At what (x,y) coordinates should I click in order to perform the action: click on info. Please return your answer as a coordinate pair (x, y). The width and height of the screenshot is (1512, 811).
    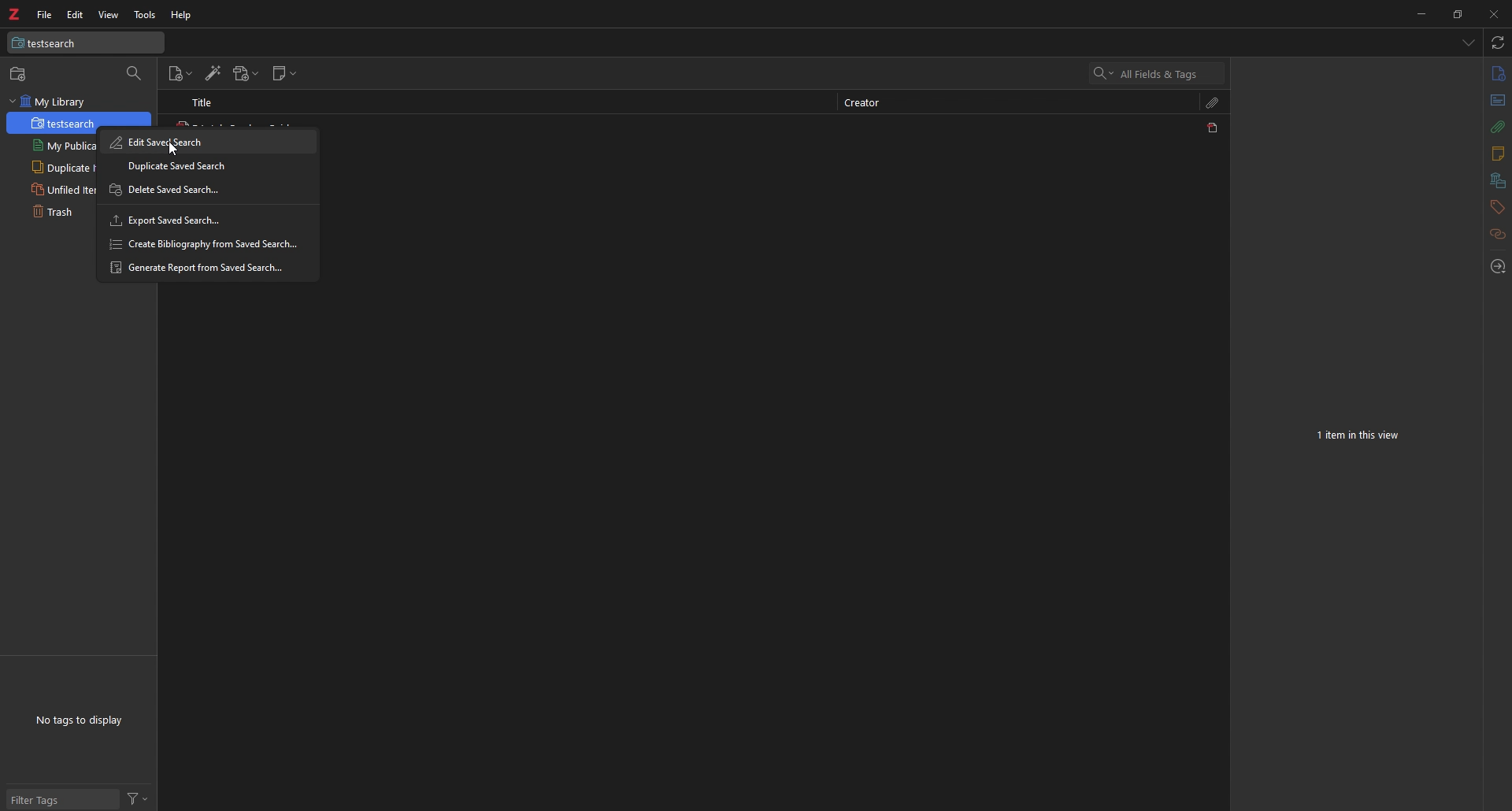
    Looking at the image, I should click on (1498, 73).